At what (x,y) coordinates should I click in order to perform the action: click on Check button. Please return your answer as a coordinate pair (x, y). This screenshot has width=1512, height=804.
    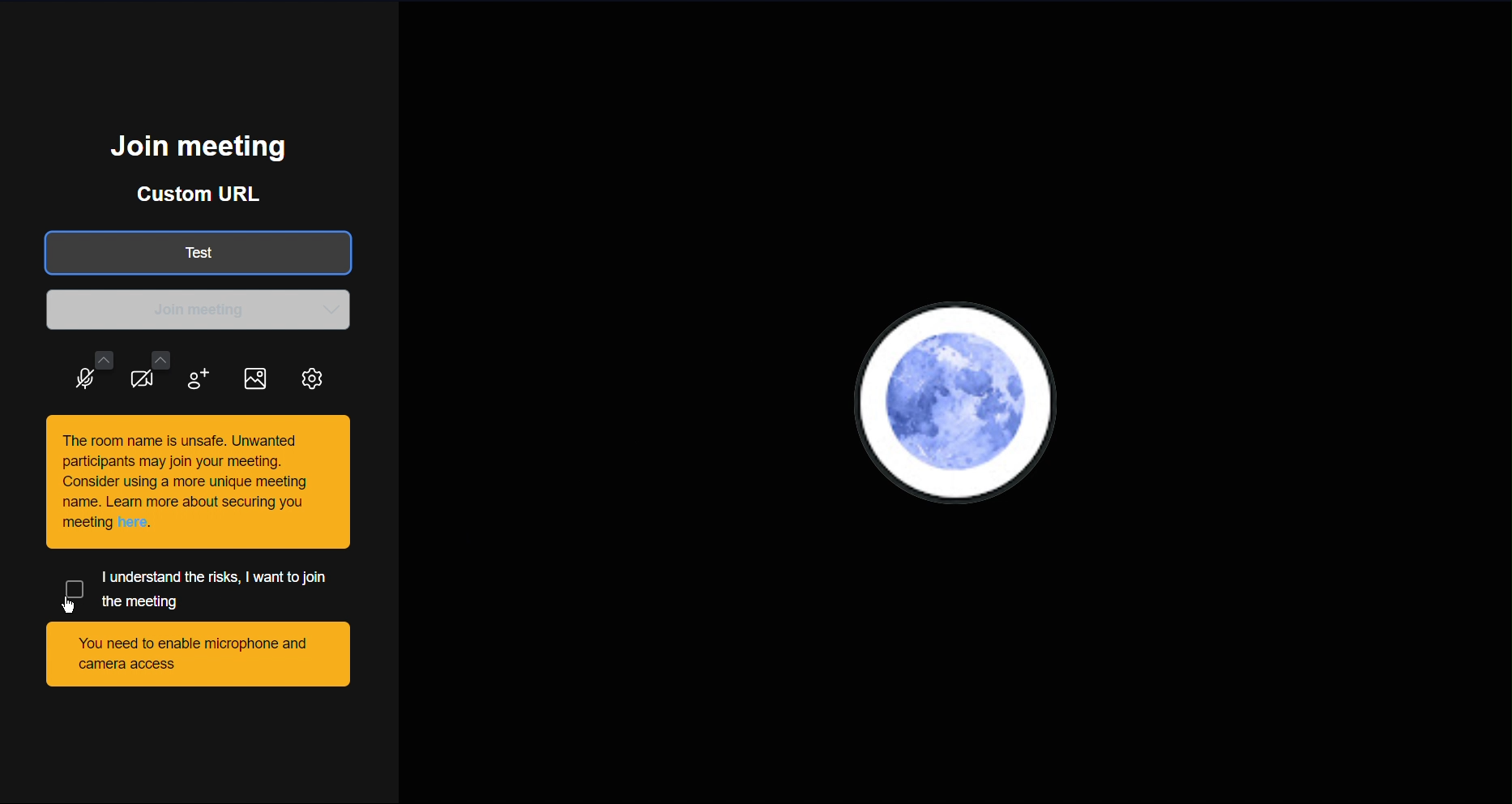
    Looking at the image, I should click on (75, 587).